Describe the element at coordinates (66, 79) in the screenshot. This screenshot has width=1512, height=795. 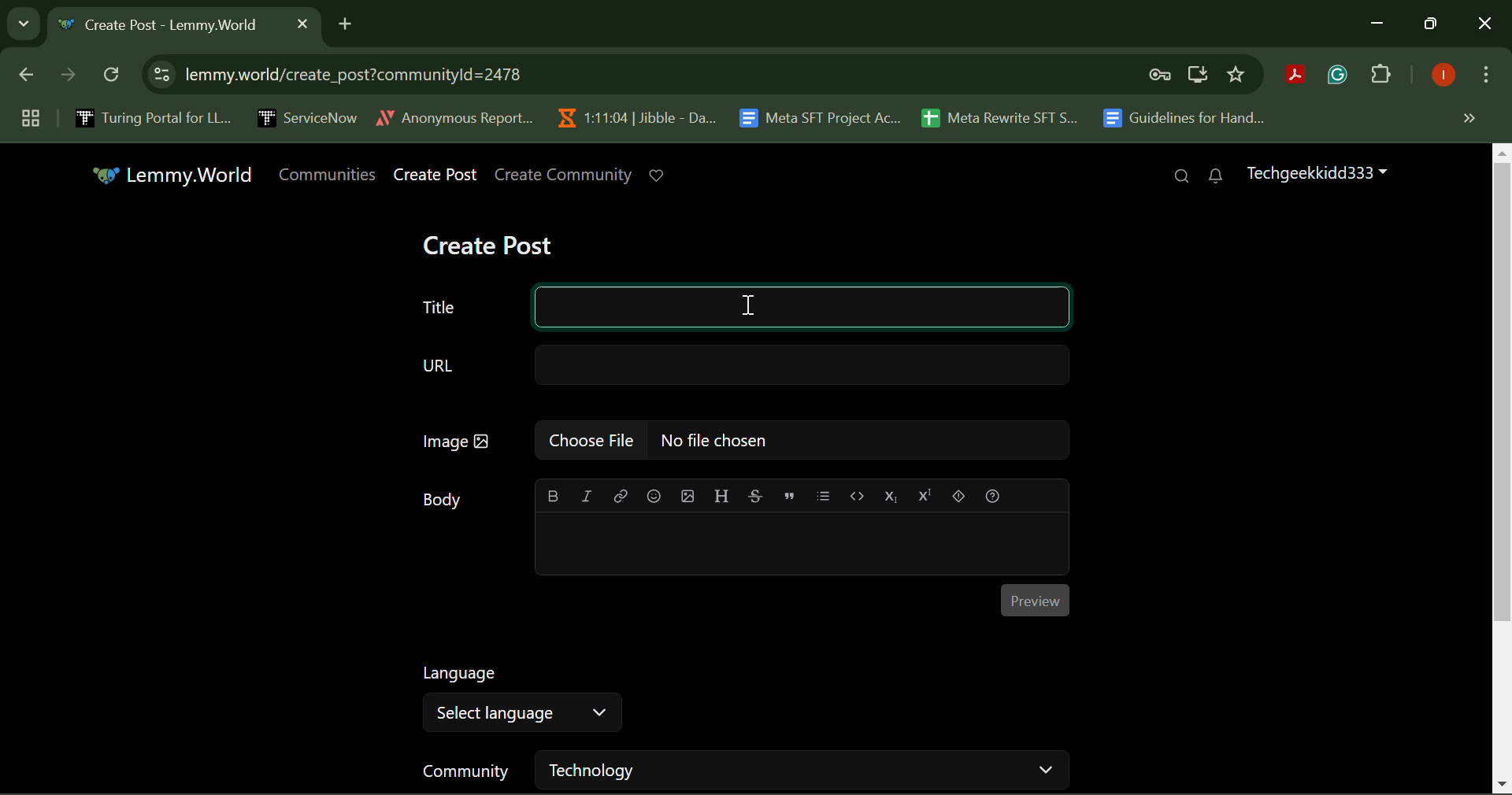
I see `Next Page ` at that location.